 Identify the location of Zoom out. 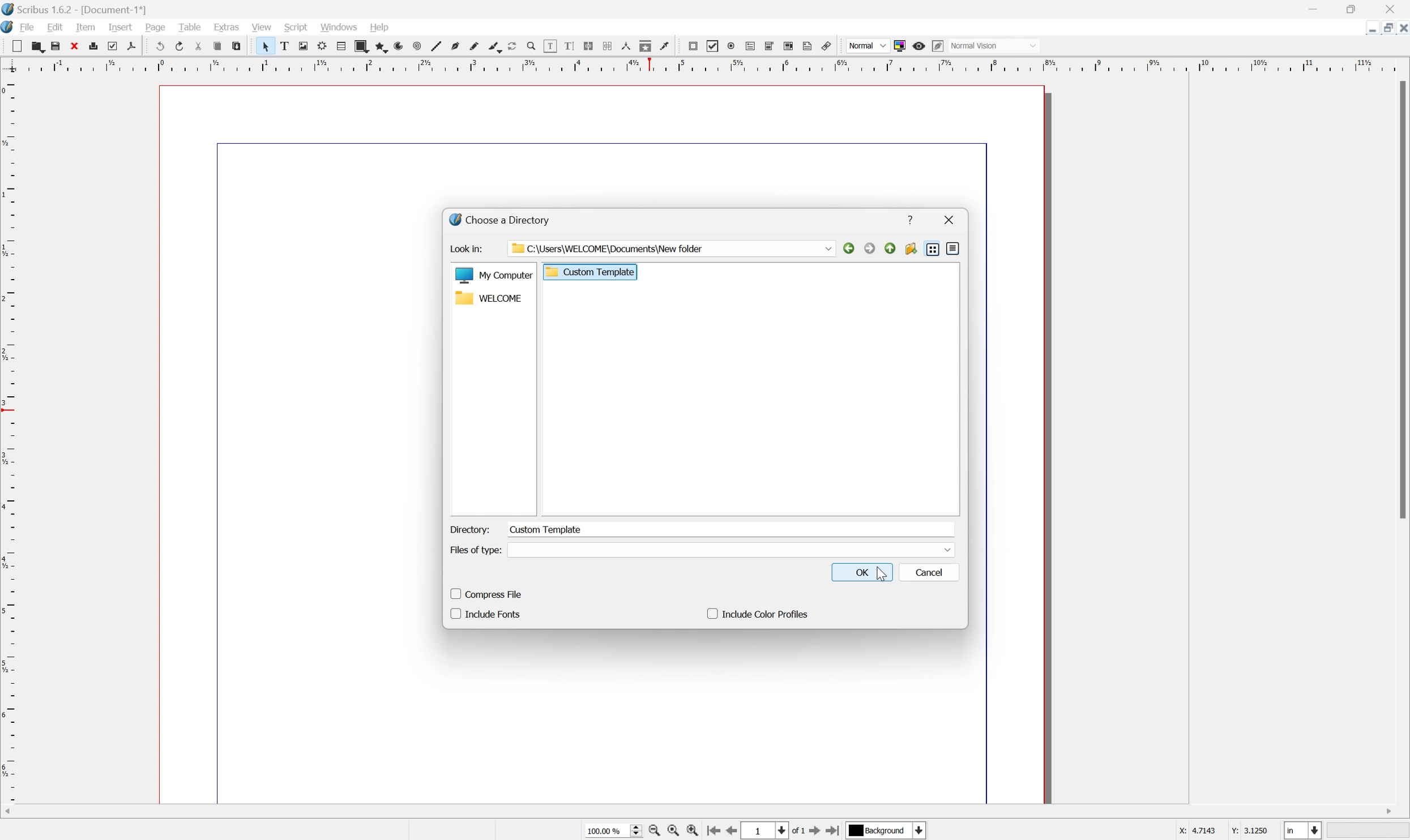
(651, 832).